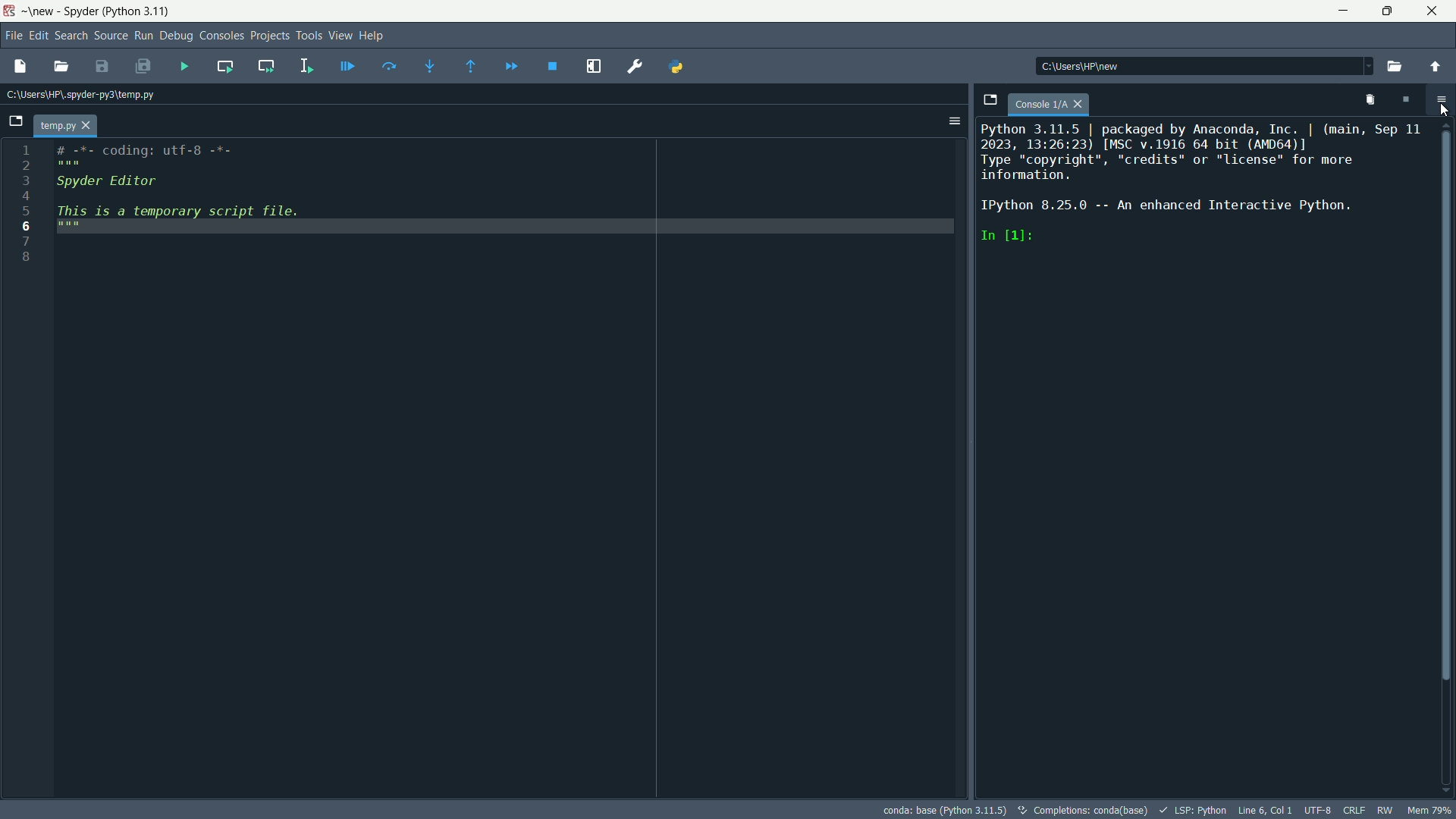 The width and height of the screenshot is (1456, 819). Describe the element at coordinates (1354, 809) in the screenshot. I see `CRFL` at that location.